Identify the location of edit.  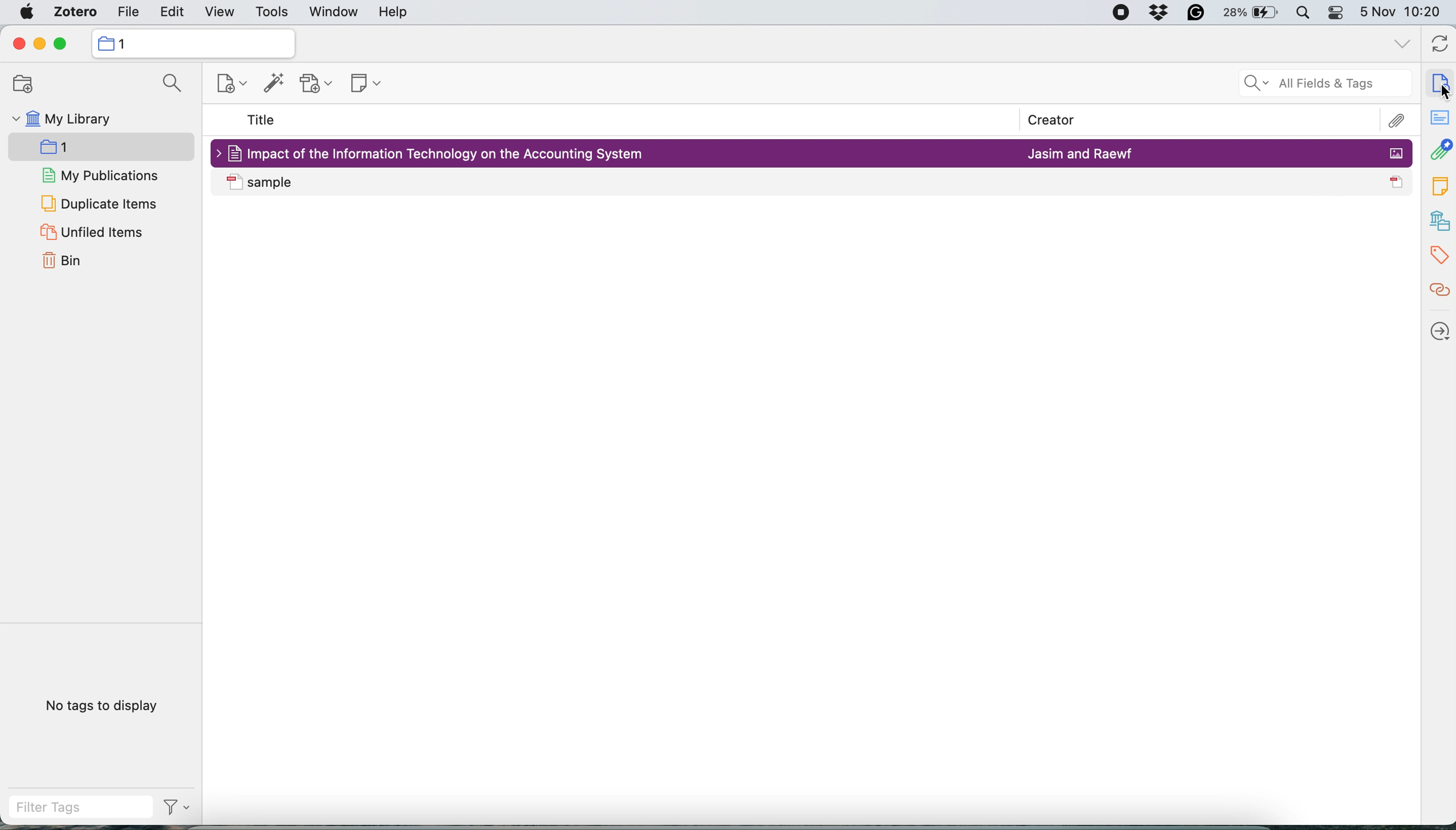
(172, 13).